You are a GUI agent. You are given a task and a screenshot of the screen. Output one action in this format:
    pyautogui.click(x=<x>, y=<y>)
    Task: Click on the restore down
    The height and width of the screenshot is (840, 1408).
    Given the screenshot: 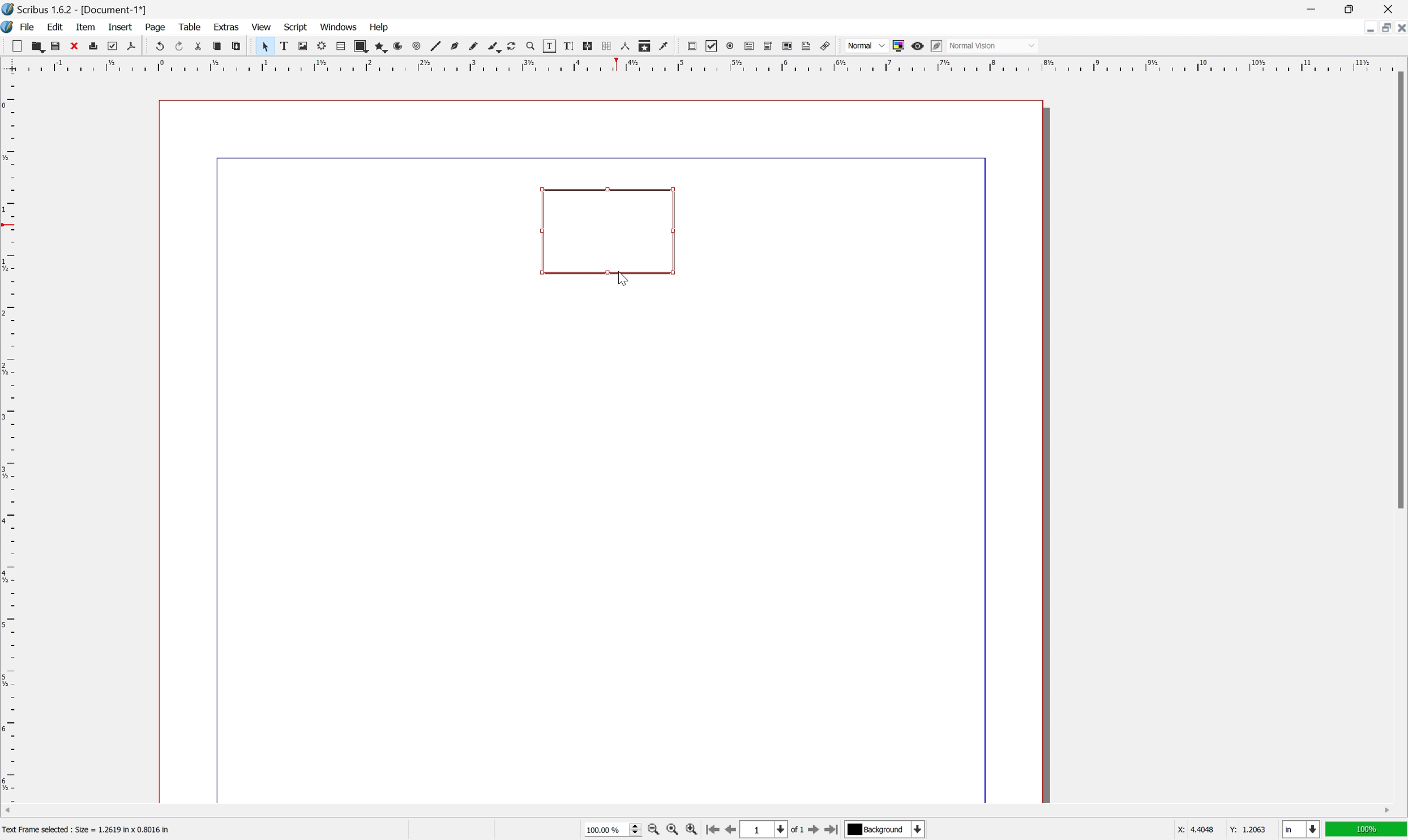 What is the action you would take?
    pyautogui.click(x=1383, y=27)
    